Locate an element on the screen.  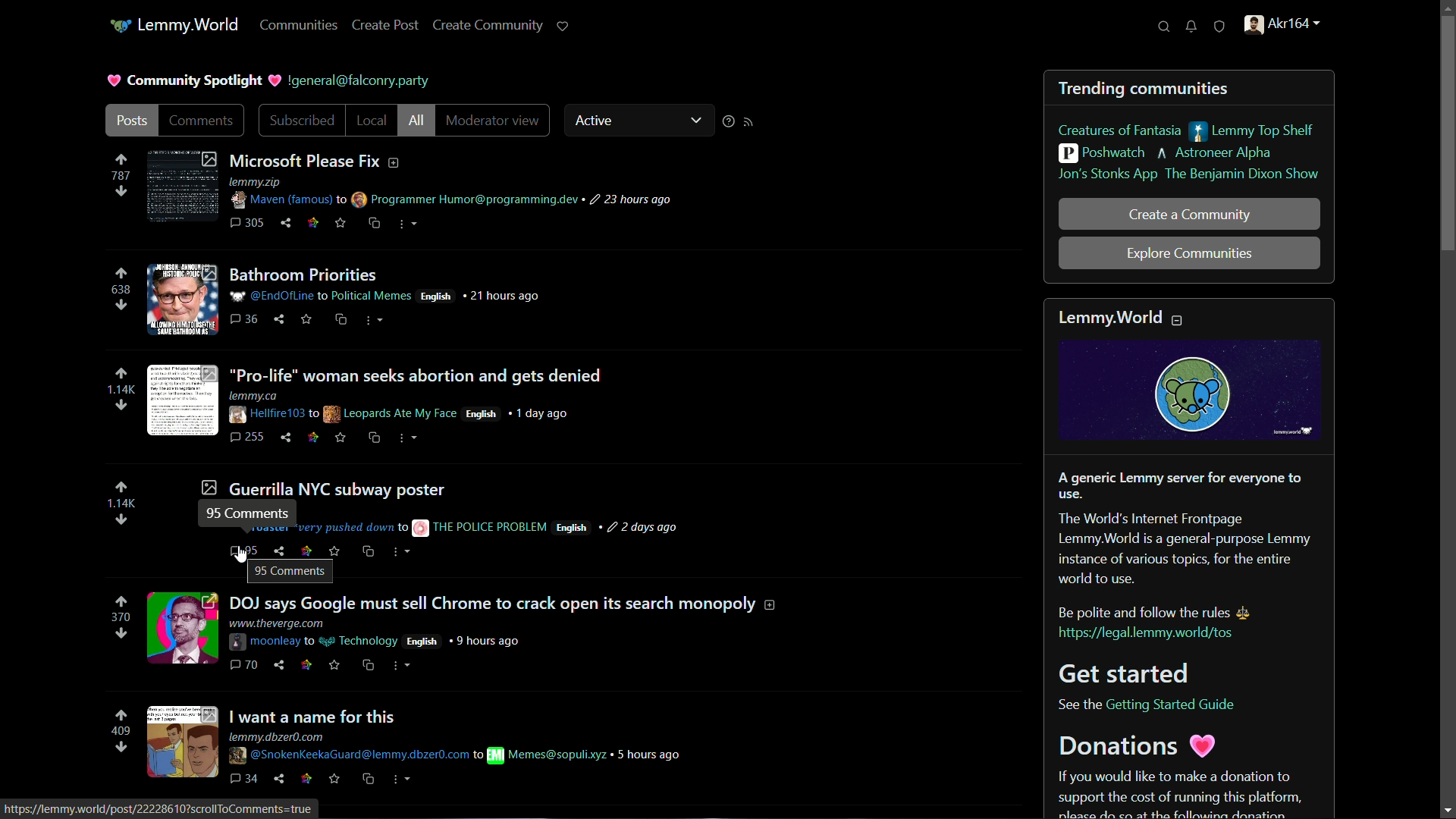
downvote is located at coordinates (124, 747).